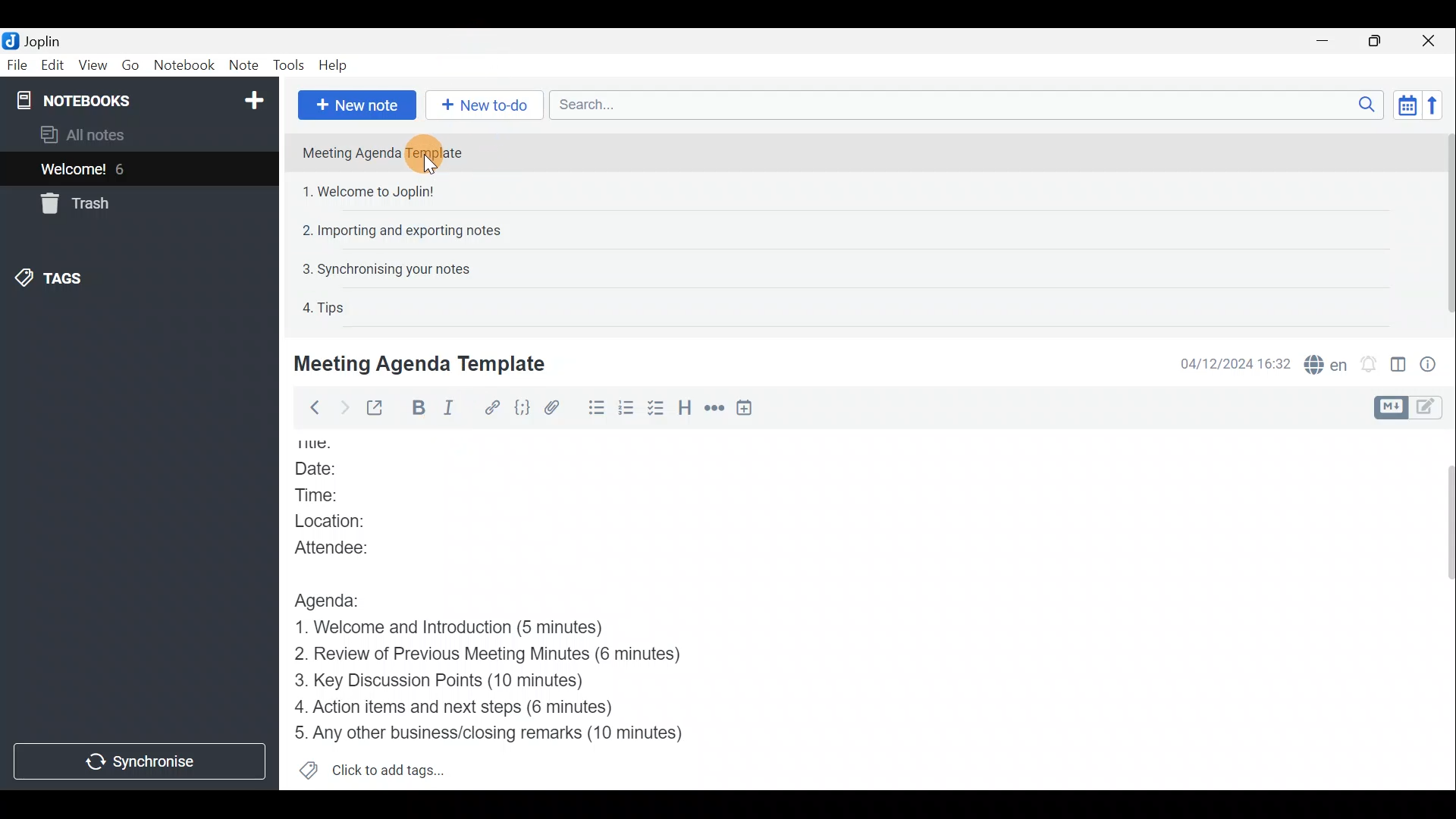 Image resolution: width=1456 pixels, height=819 pixels. What do you see at coordinates (310, 410) in the screenshot?
I see `Back` at bounding box center [310, 410].